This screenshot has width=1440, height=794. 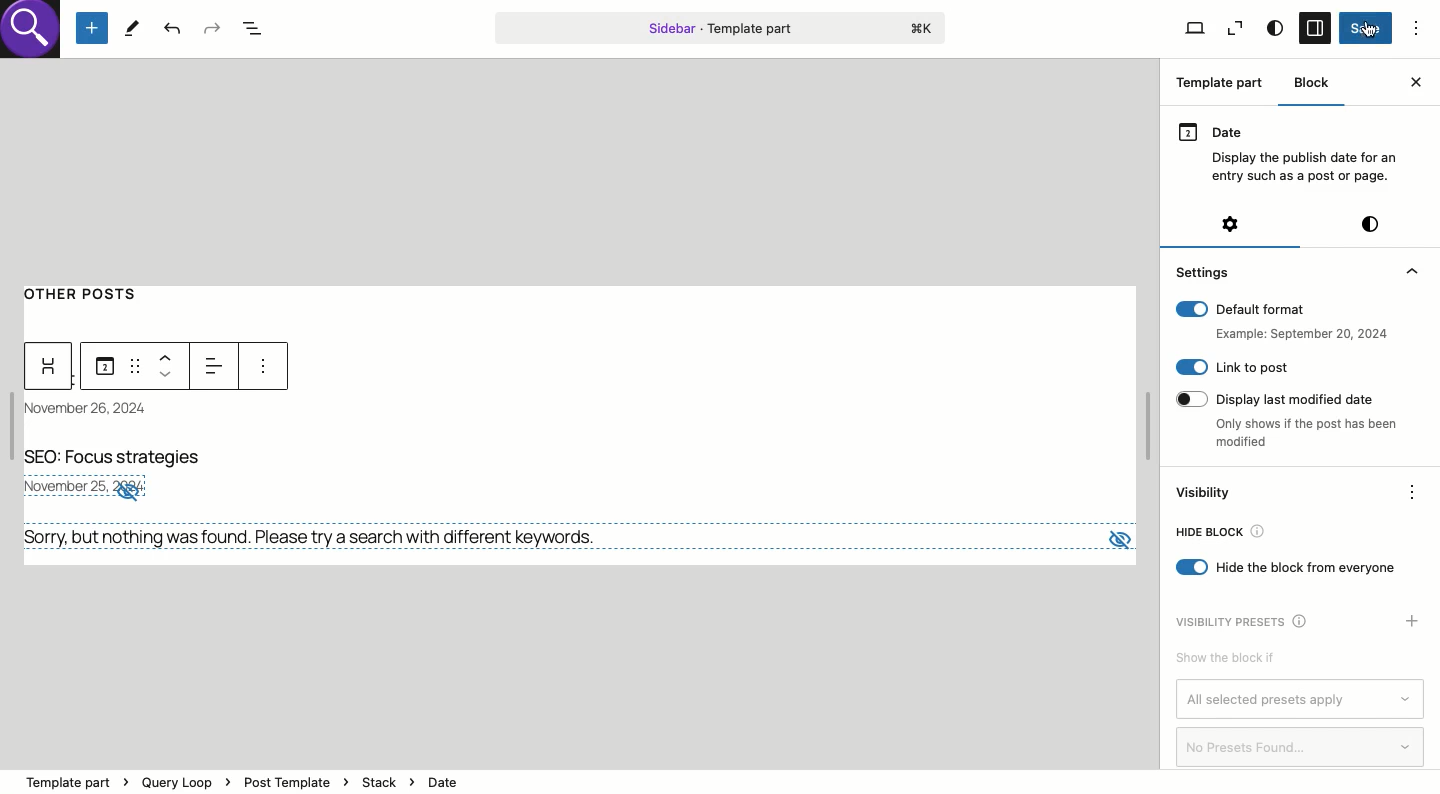 I want to click on Click, so click(x=1372, y=31).